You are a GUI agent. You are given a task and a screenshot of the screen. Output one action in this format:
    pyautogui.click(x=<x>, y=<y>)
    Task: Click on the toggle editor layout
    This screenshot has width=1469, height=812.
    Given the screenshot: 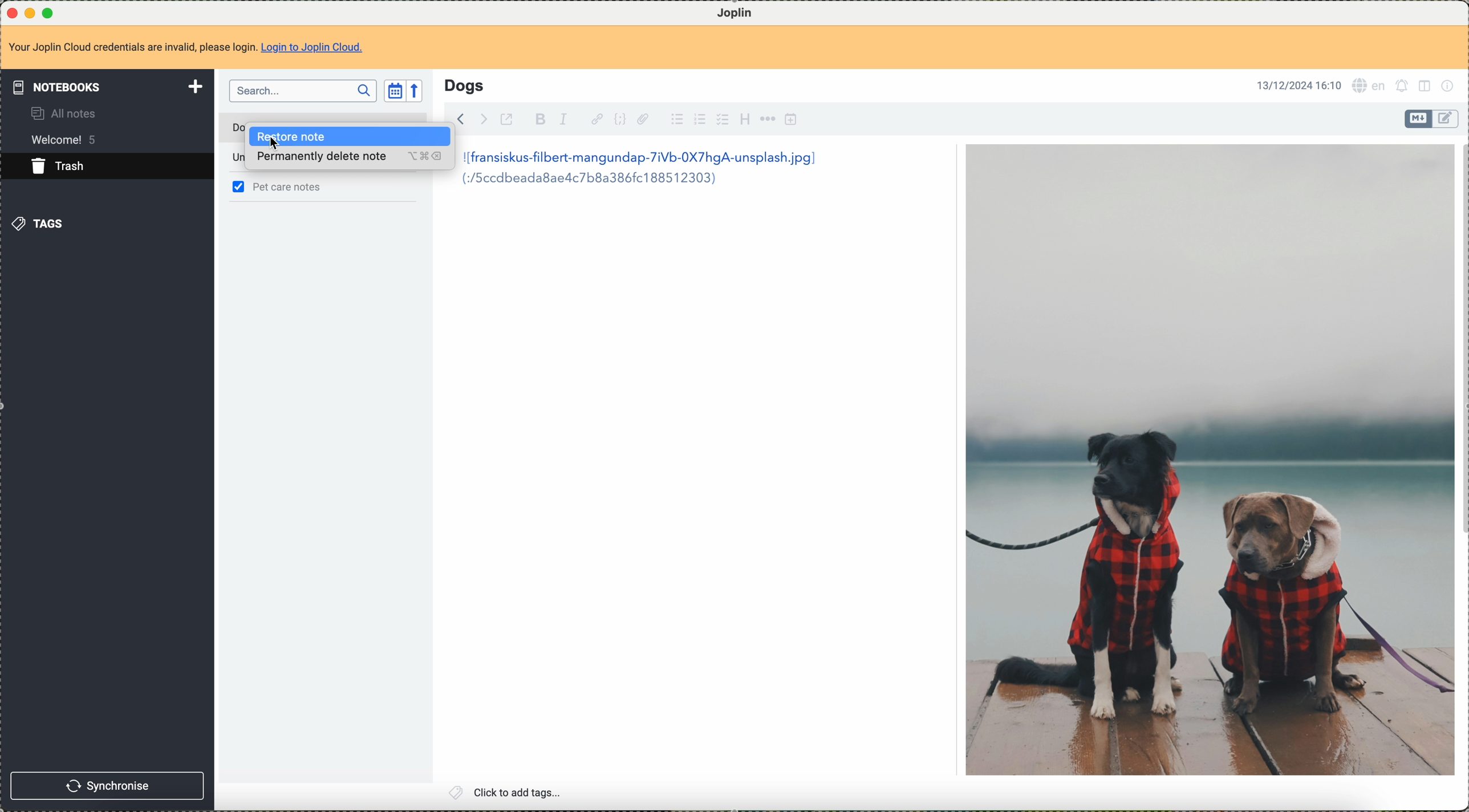 What is the action you would take?
    pyautogui.click(x=1427, y=87)
    